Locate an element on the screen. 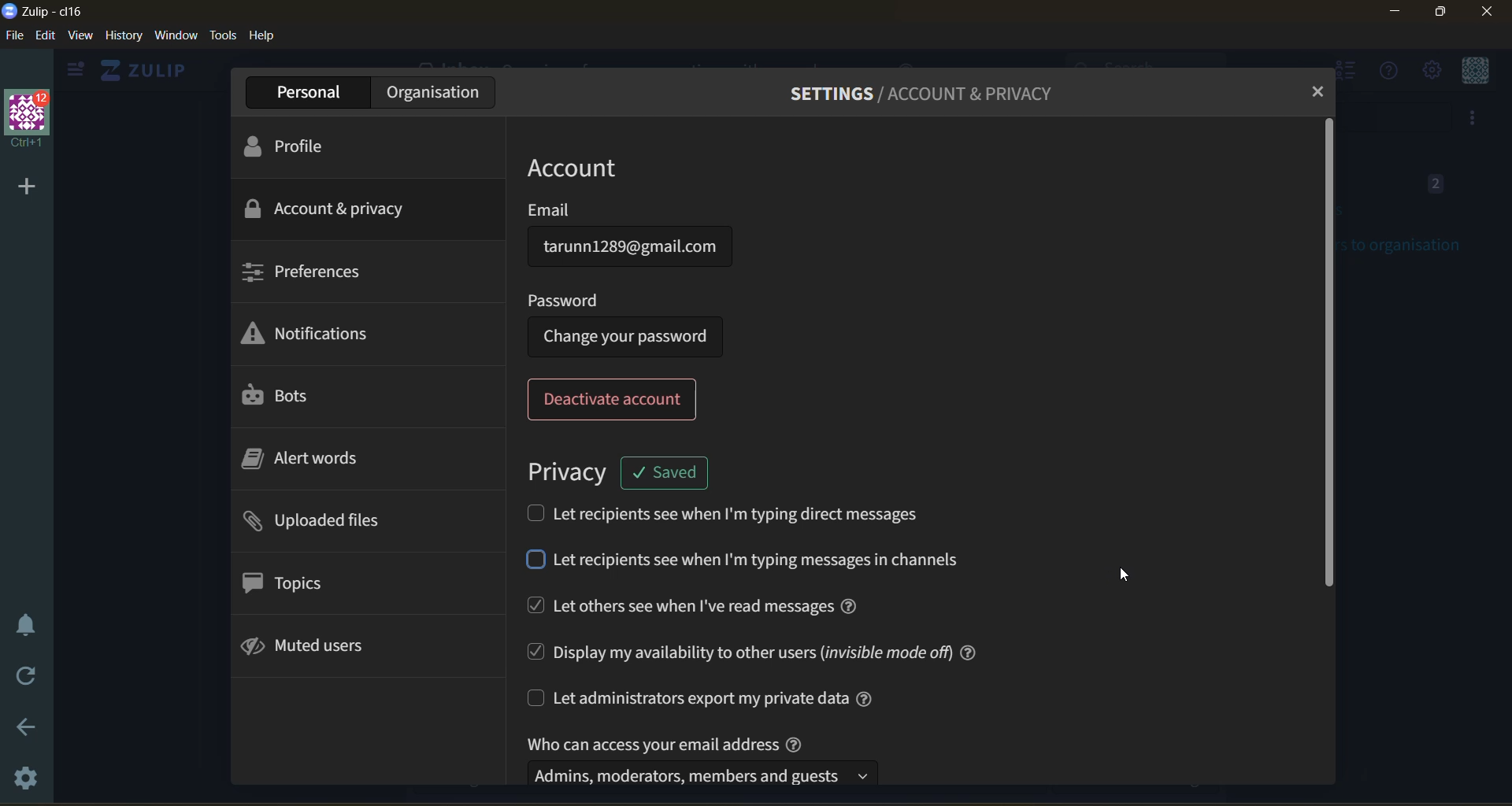 This screenshot has width=1512, height=806. notifications is located at coordinates (314, 338).